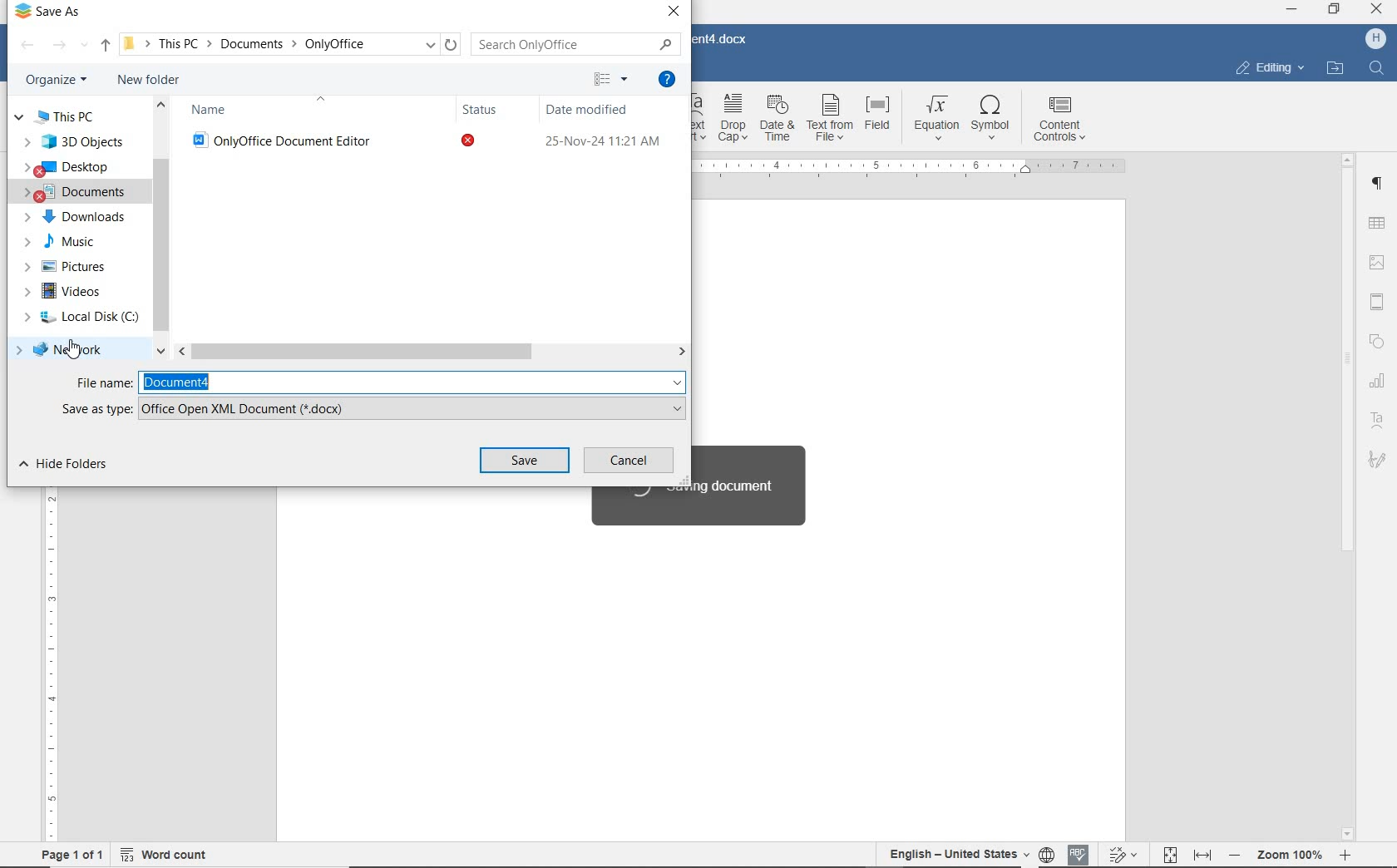  I want to click on DOWNLOADS, so click(74, 218).